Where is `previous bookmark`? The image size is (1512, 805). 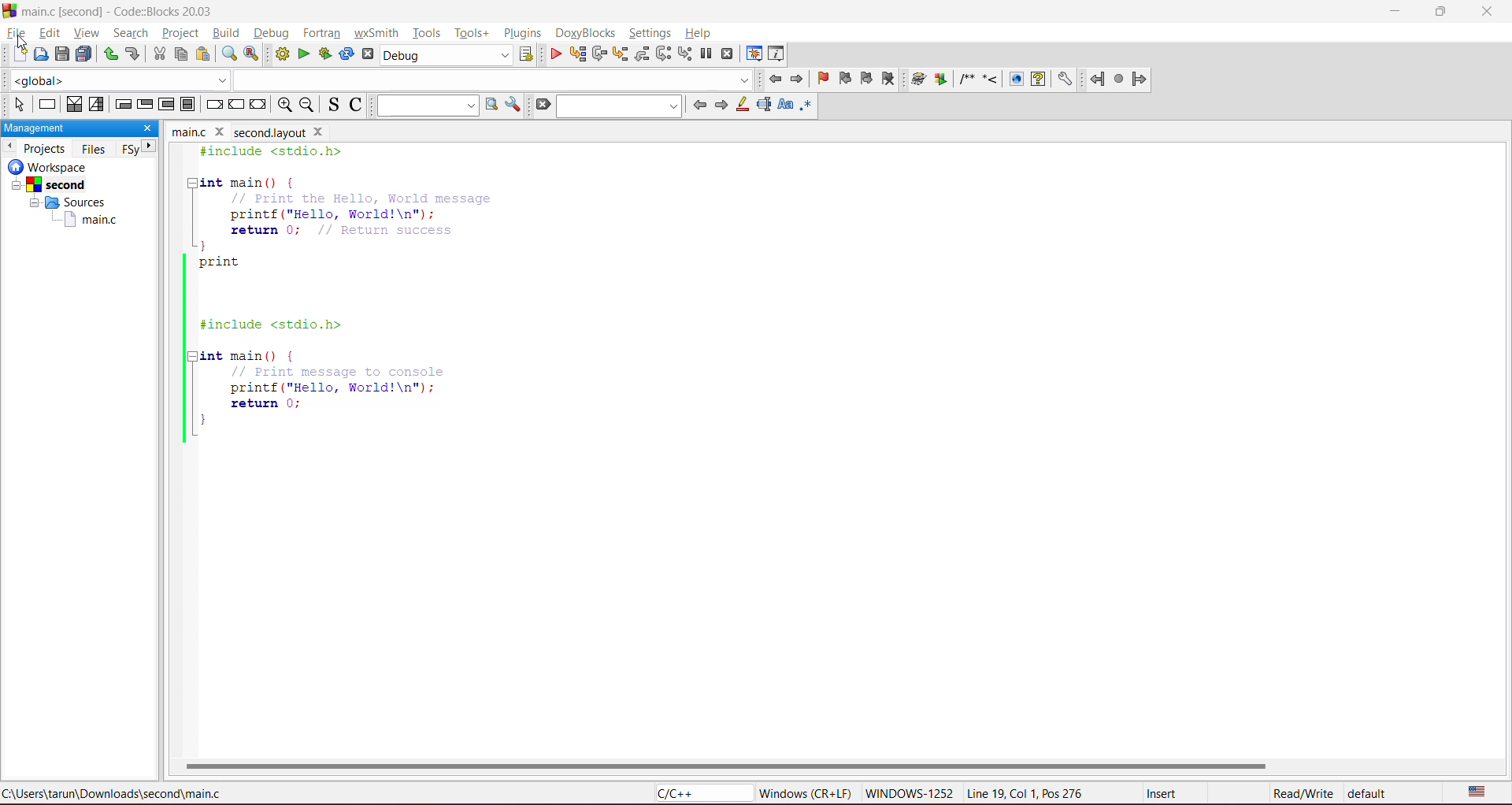 previous bookmark is located at coordinates (843, 80).